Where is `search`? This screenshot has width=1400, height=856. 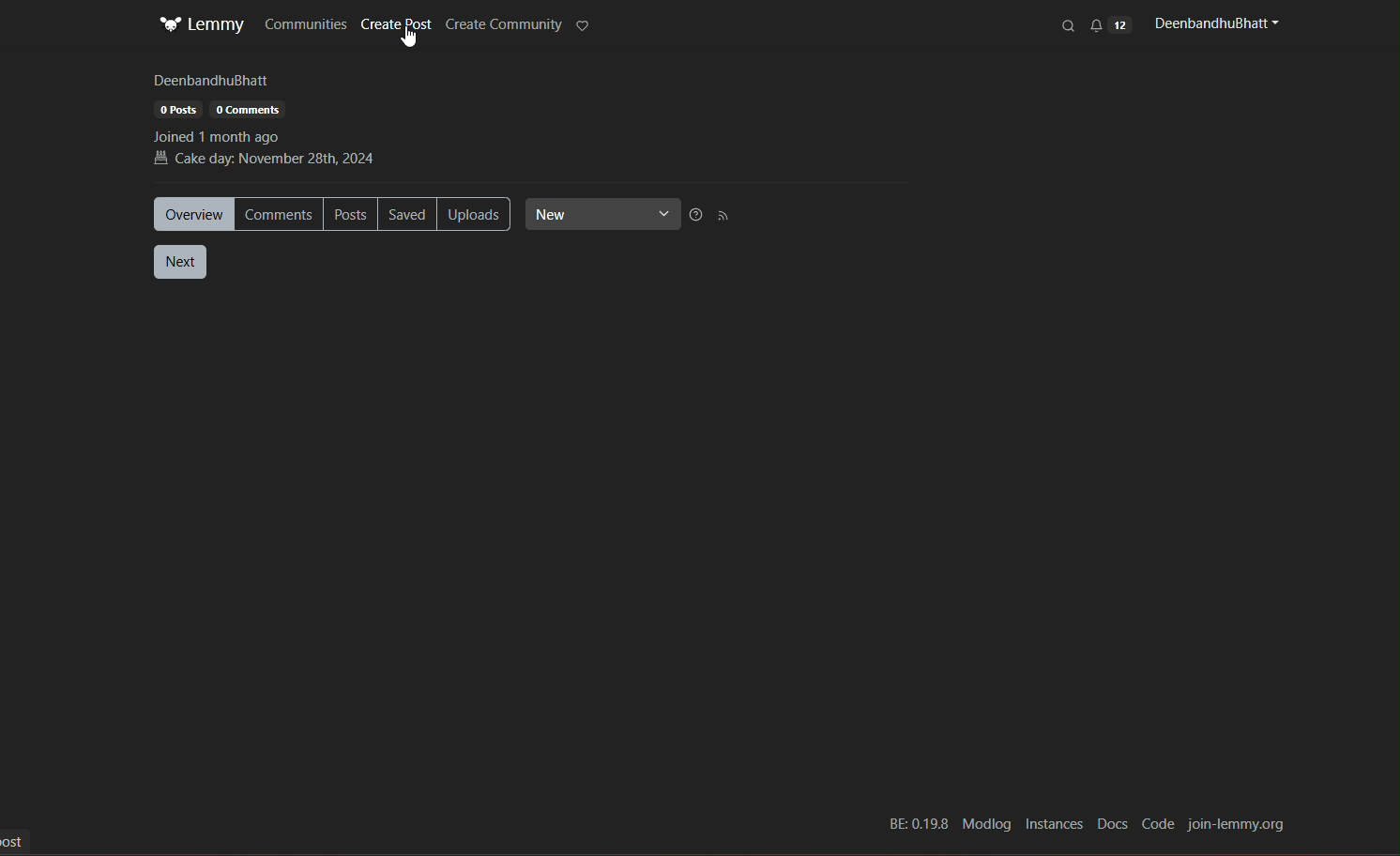
search is located at coordinates (1070, 25).